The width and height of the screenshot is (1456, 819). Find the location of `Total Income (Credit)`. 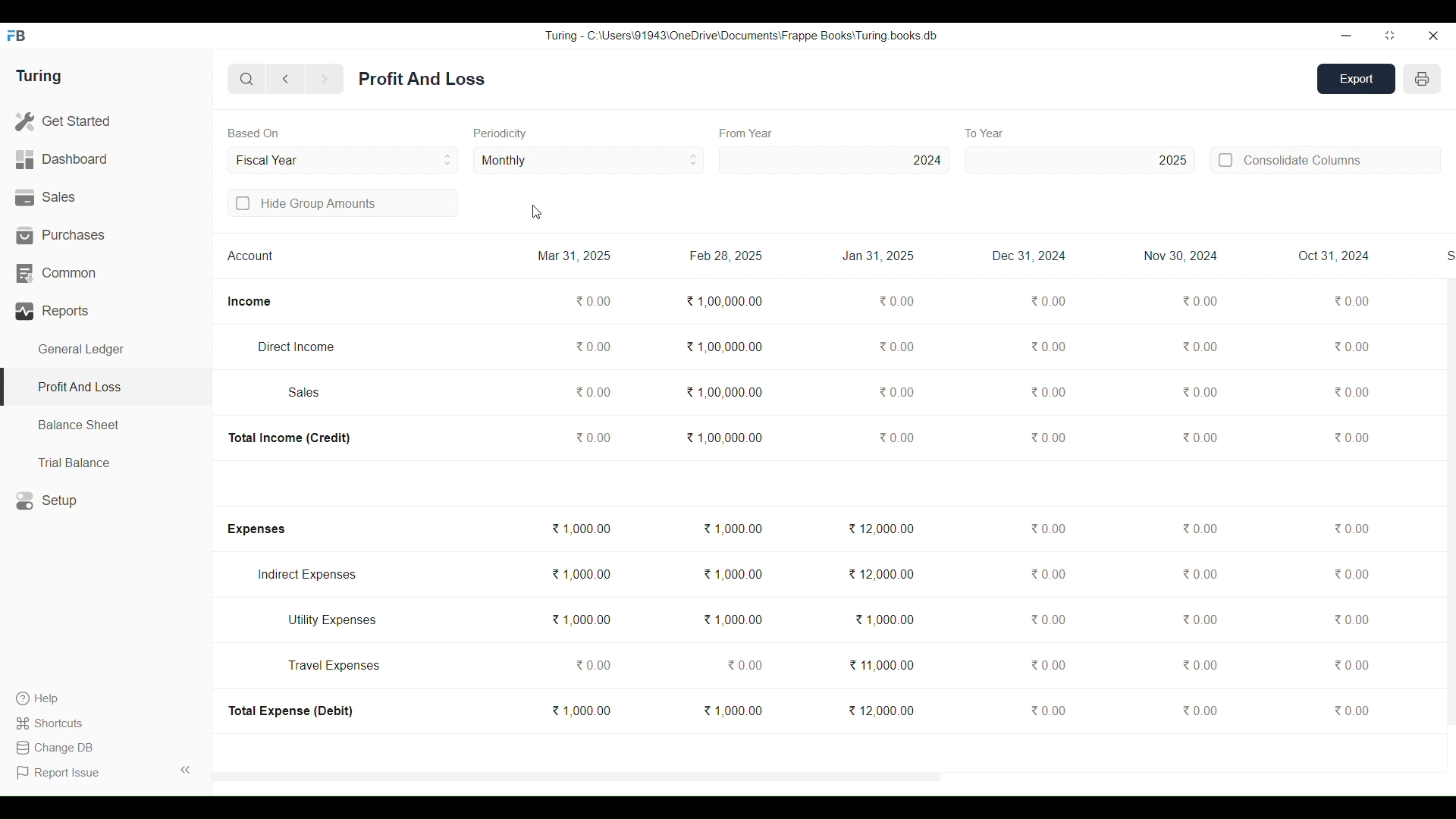

Total Income (Credit) is located at coordinates (290, 438).